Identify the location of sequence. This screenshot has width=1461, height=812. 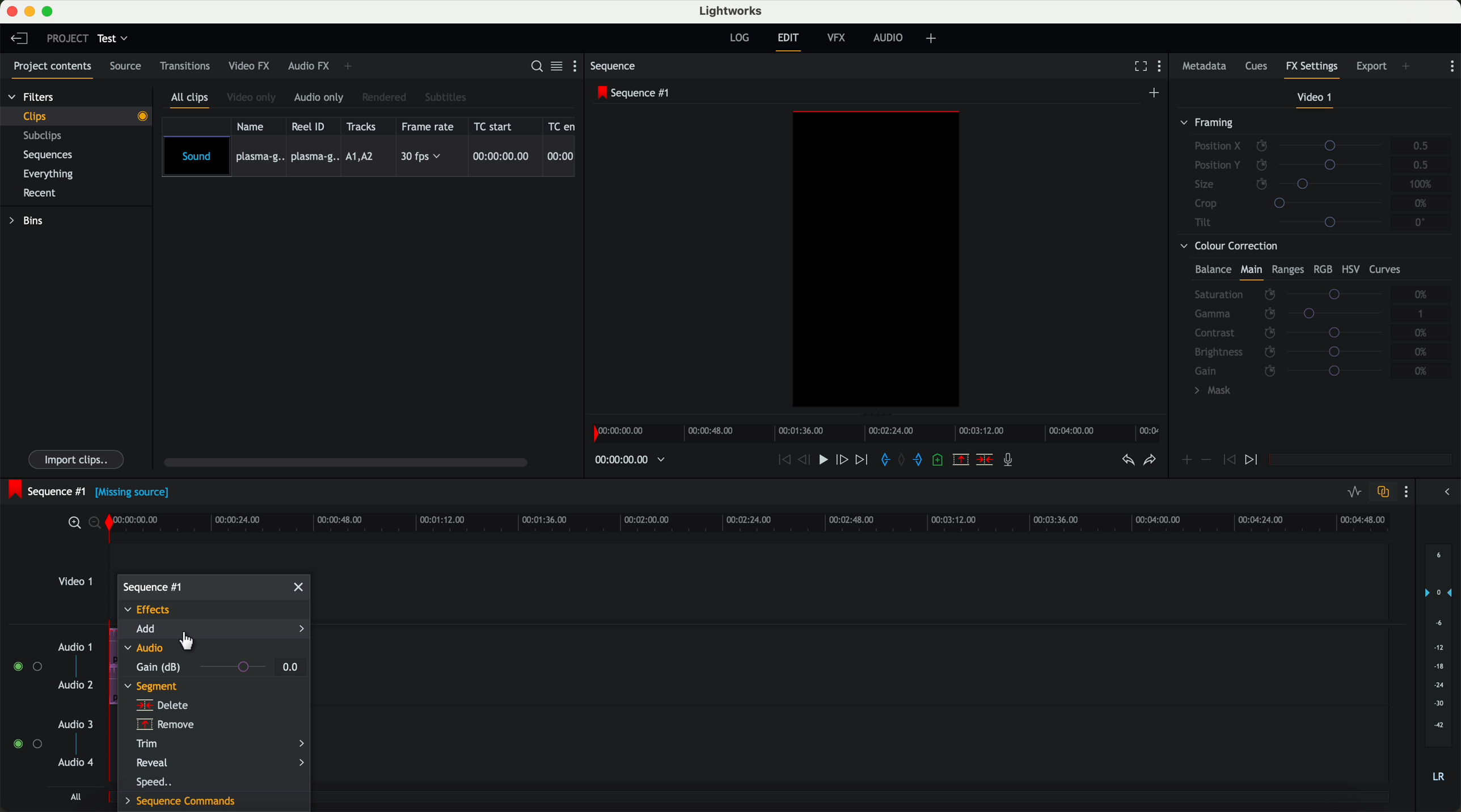
(617, 67).